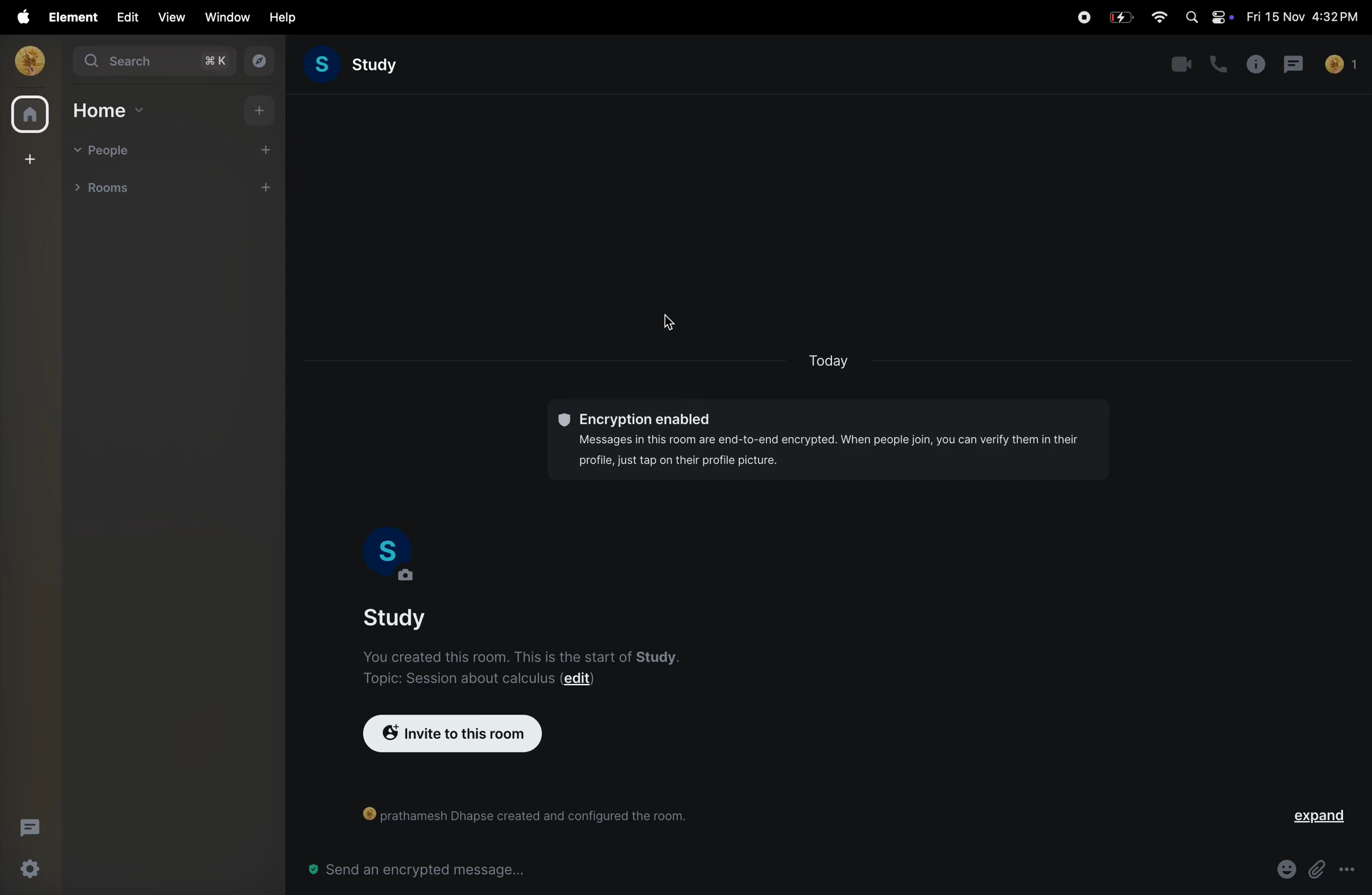 The image size is (1372, 895). Describe the element at coordinates (261, 62) in the screenshot. I see `explore` at that location.